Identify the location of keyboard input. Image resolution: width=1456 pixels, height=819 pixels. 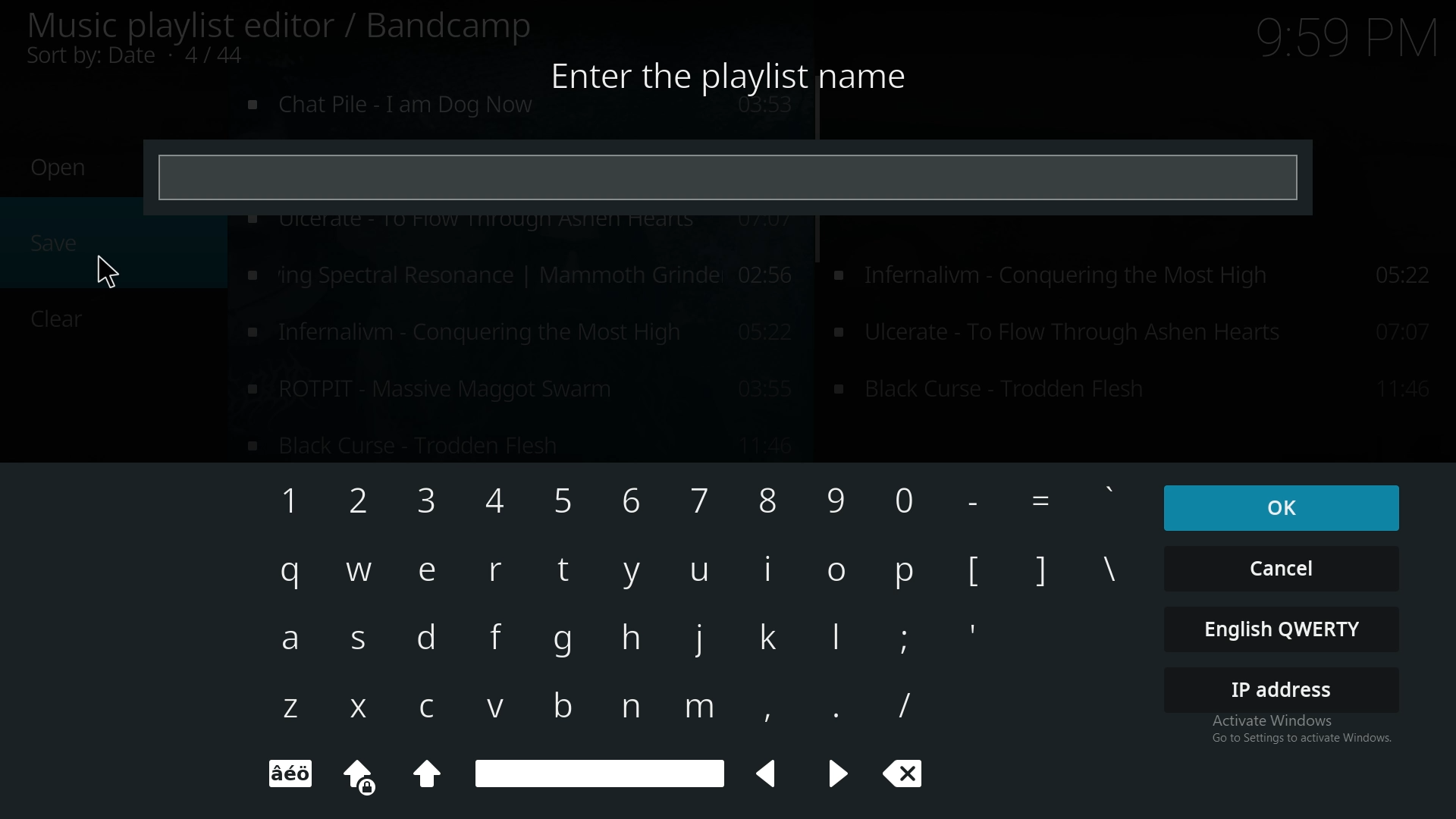
(828, 708).